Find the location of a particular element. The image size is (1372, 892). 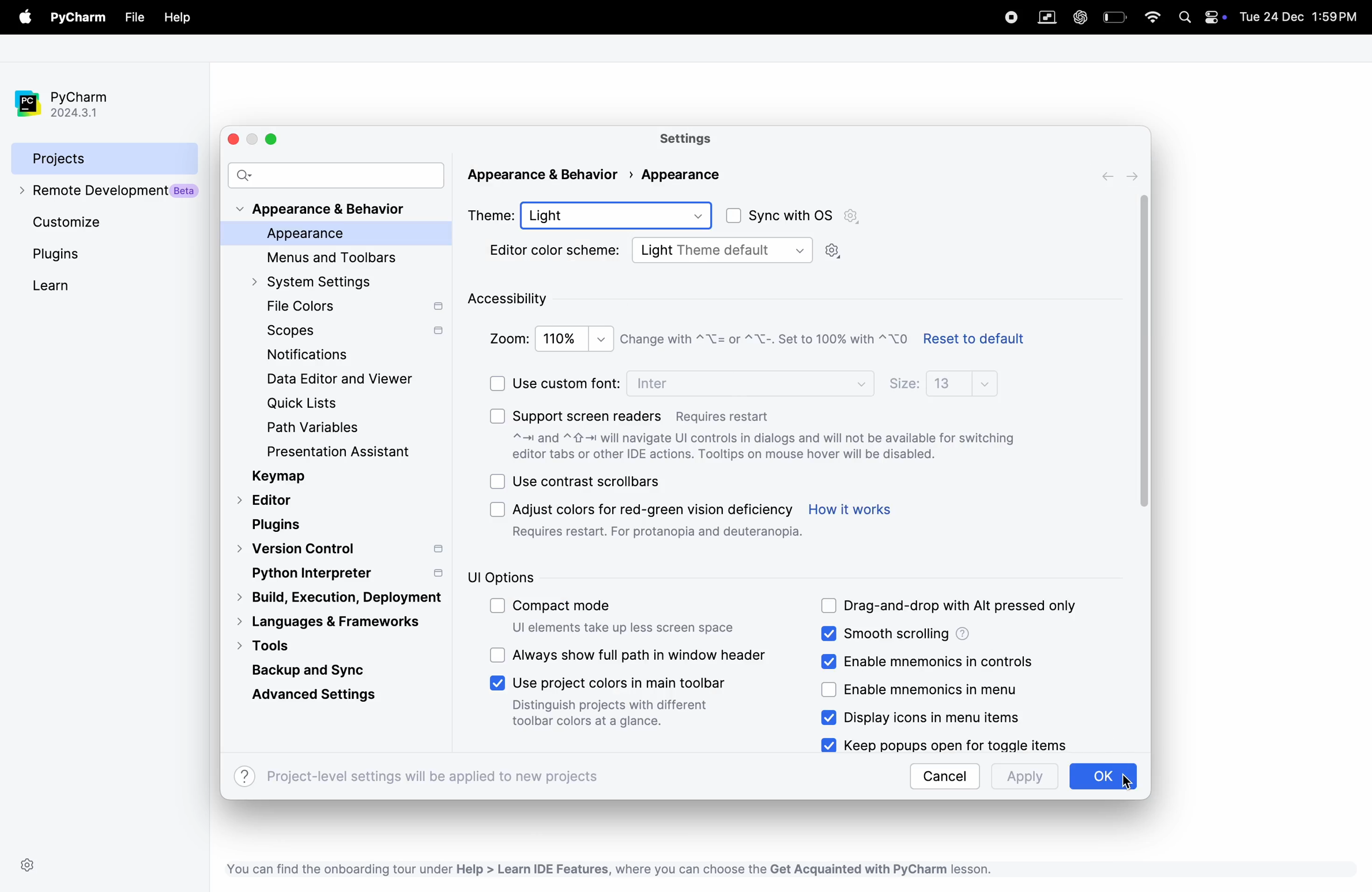

check boxes is located at coordinates (827, 664).